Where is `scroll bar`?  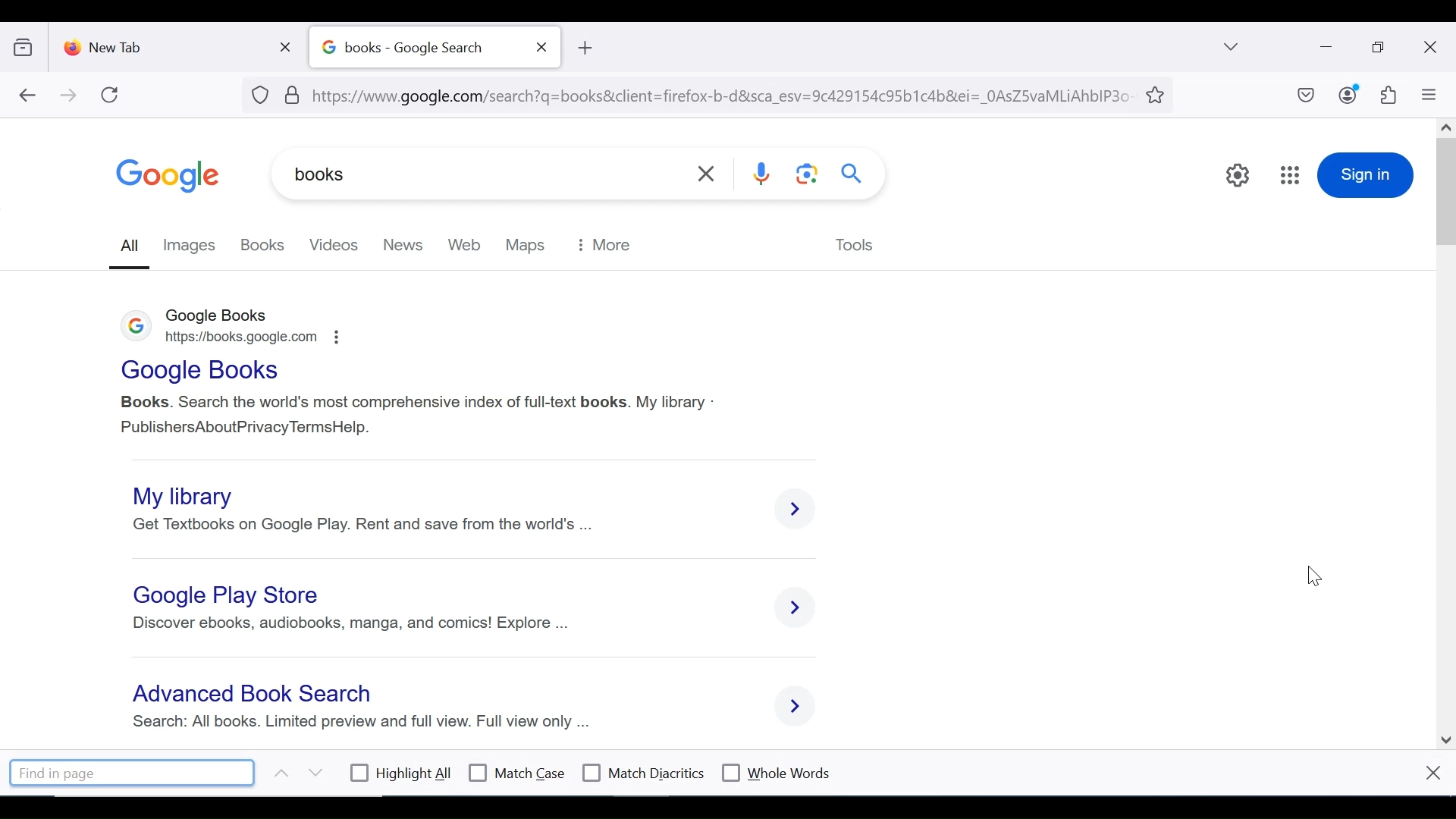 scroll bar is located at coordinates (1447, 429).